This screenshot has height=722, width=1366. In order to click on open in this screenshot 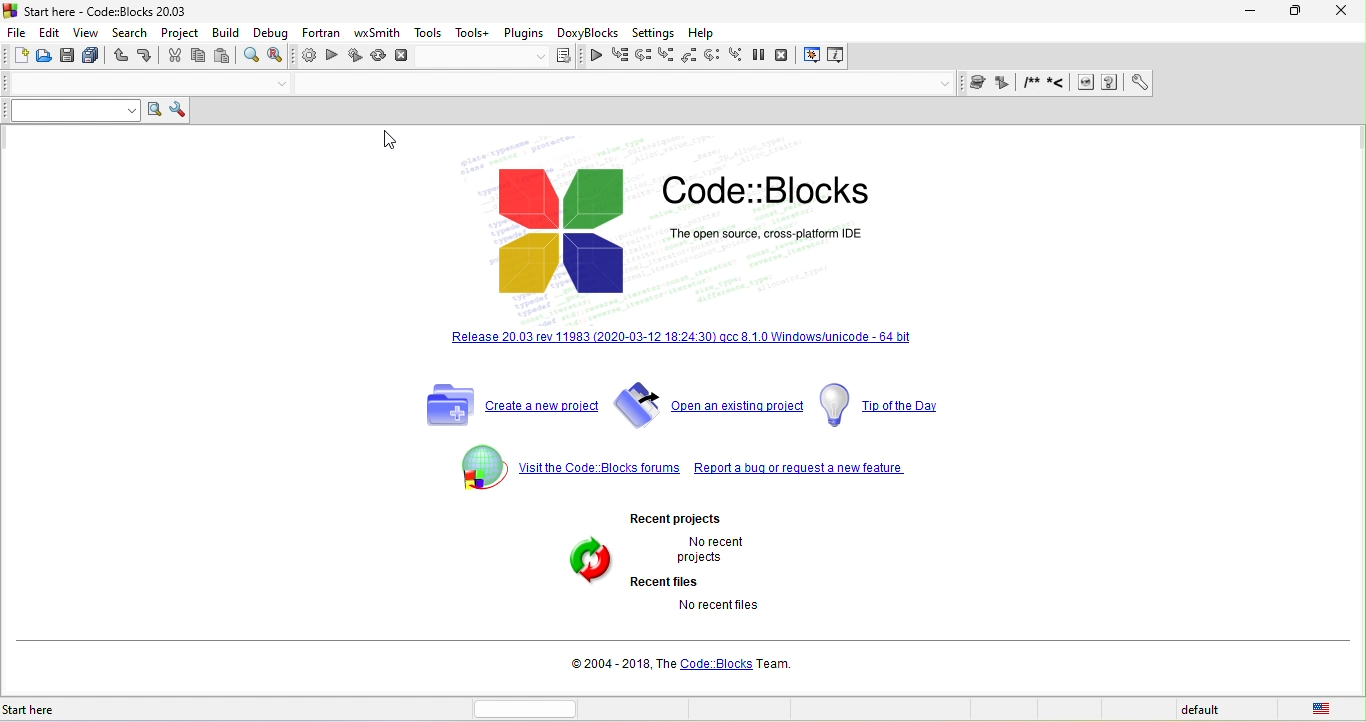, I will do `click(44, 57)`.